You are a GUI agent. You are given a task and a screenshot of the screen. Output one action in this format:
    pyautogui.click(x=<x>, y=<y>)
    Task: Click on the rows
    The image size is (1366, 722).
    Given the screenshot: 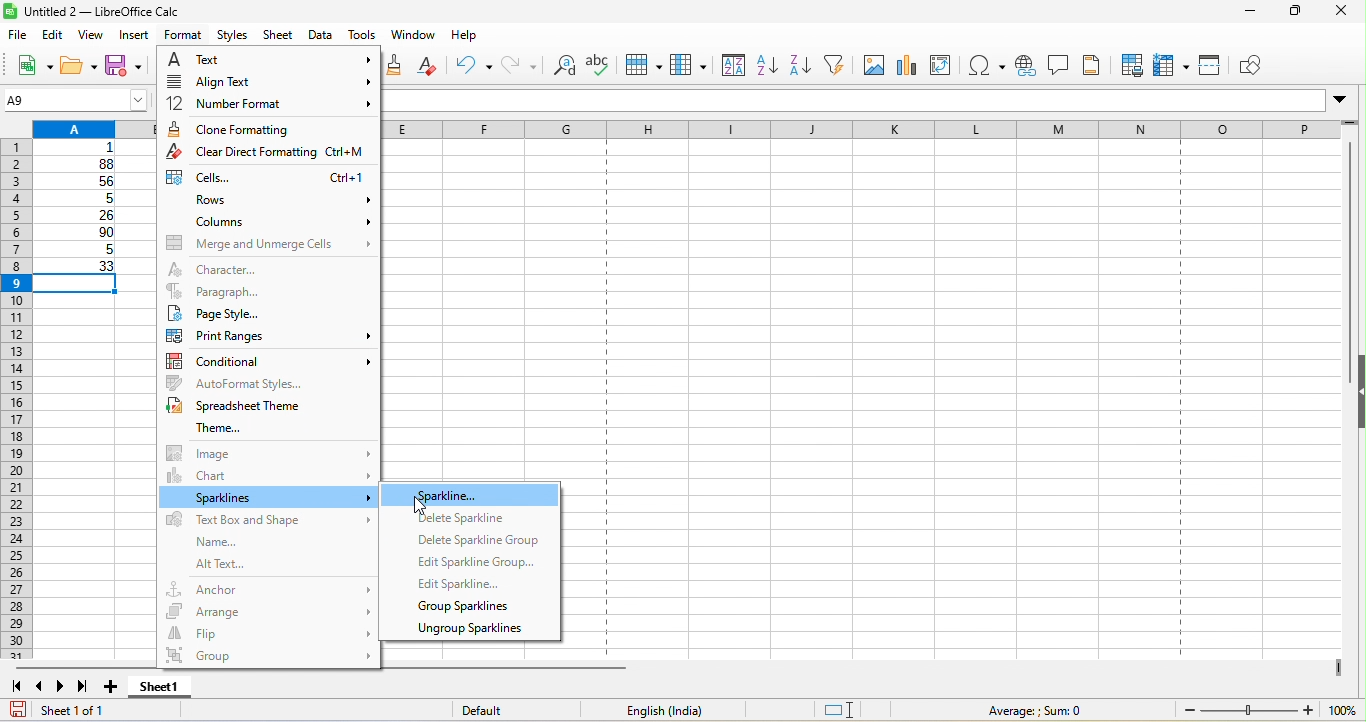 What is the action you would take?
    pyautogui.click(x=15, y=401)
    